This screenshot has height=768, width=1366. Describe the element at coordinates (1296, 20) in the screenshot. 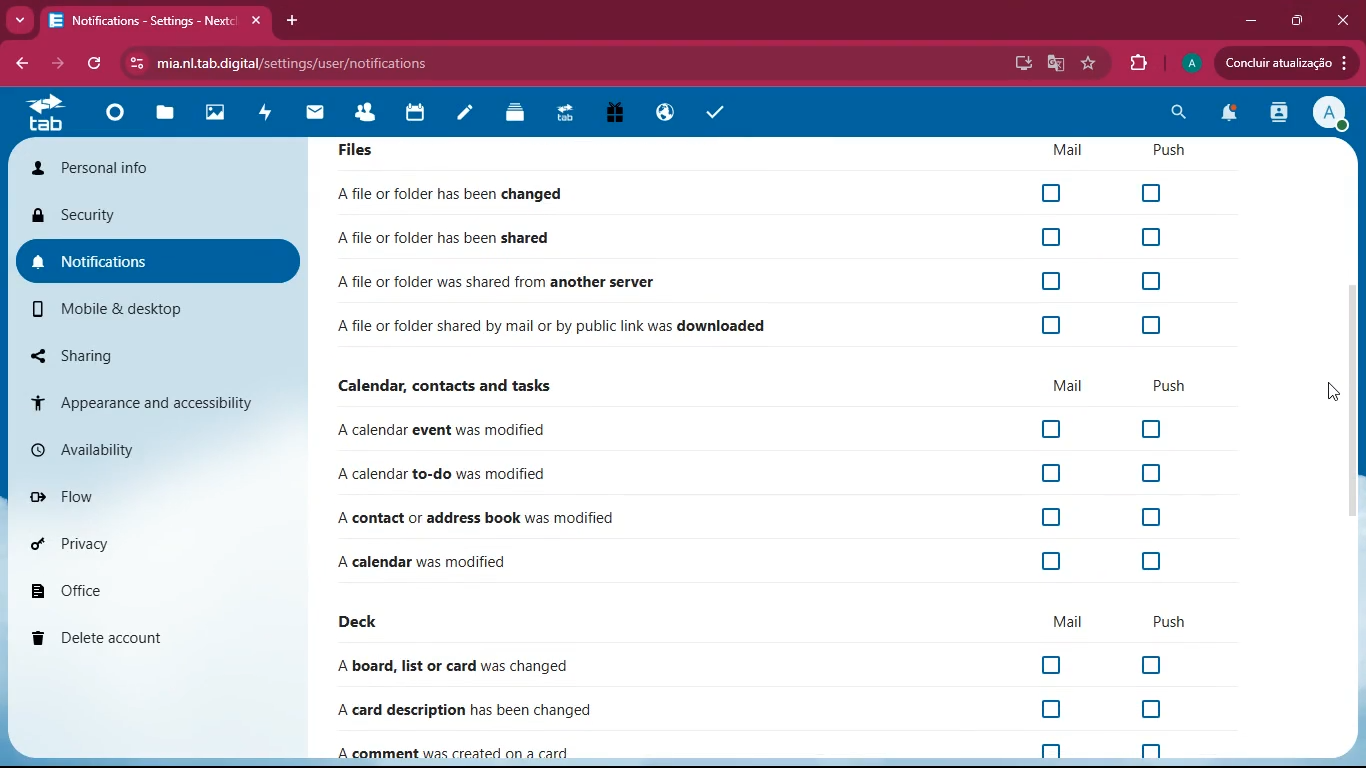

I see `maximize` at that location.